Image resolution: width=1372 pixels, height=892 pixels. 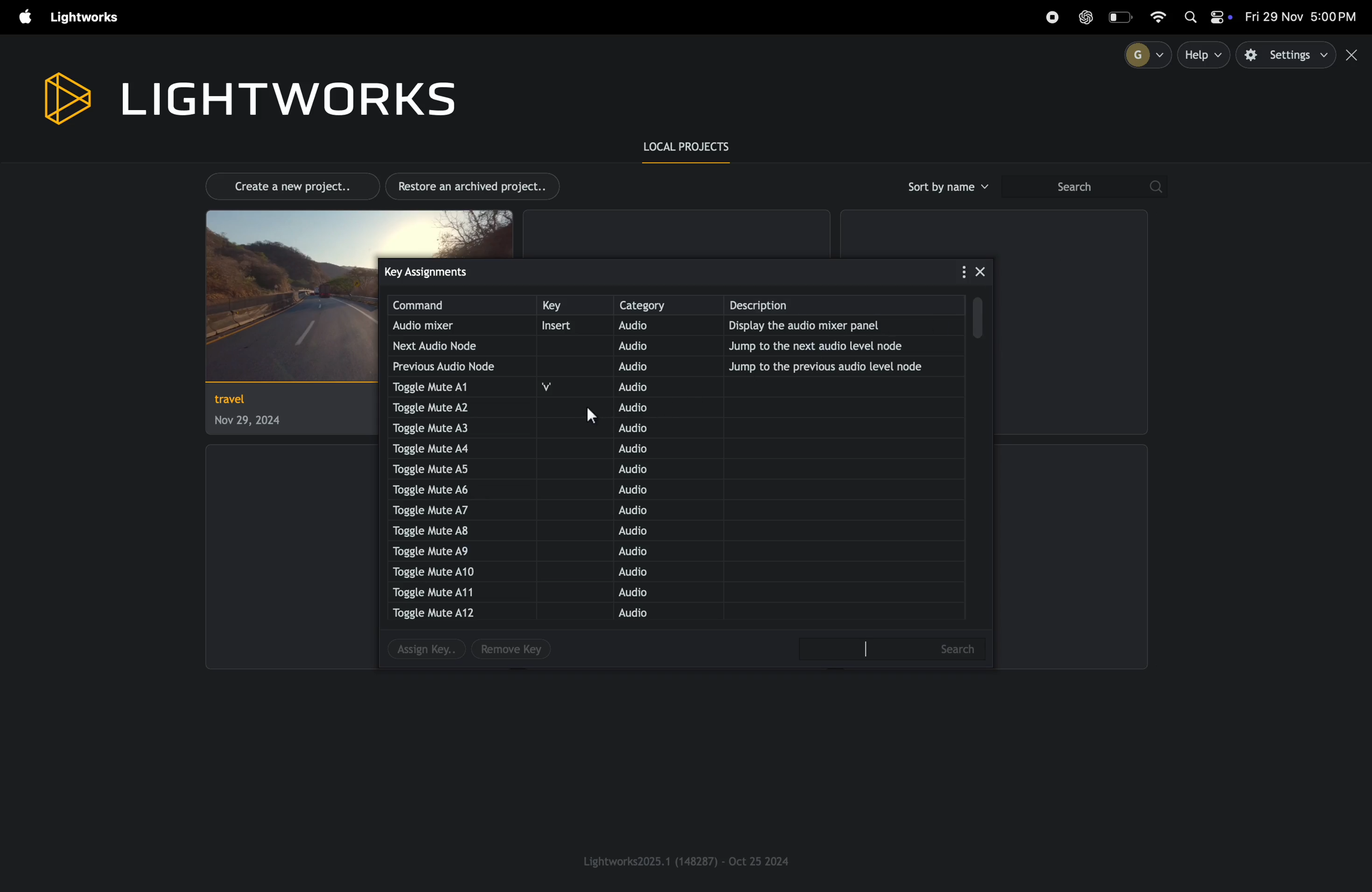 I want to click on key, so click(x=571, y=306).